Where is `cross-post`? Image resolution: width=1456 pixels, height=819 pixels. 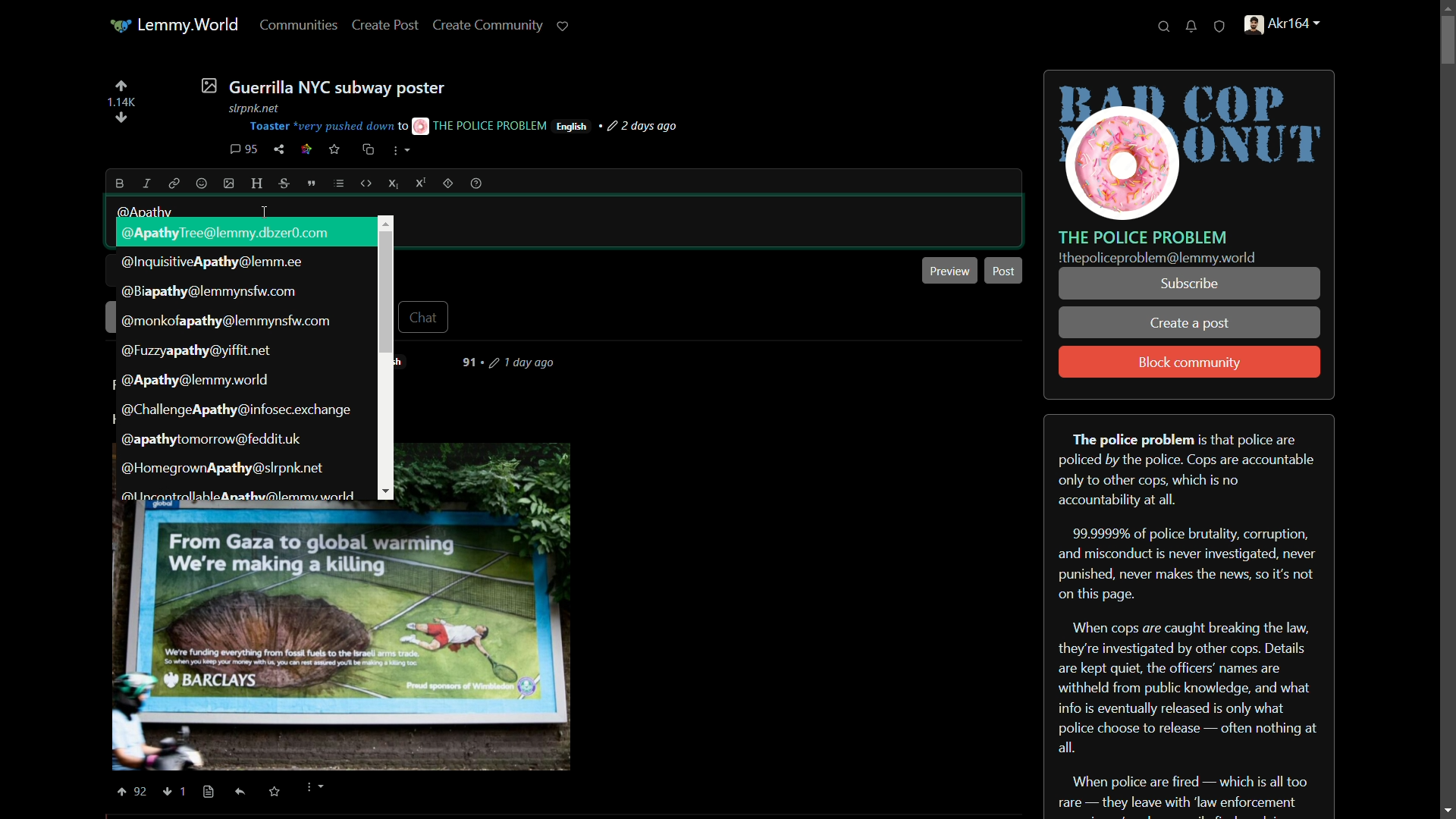
cross-post is located at coordinates (367, 149).